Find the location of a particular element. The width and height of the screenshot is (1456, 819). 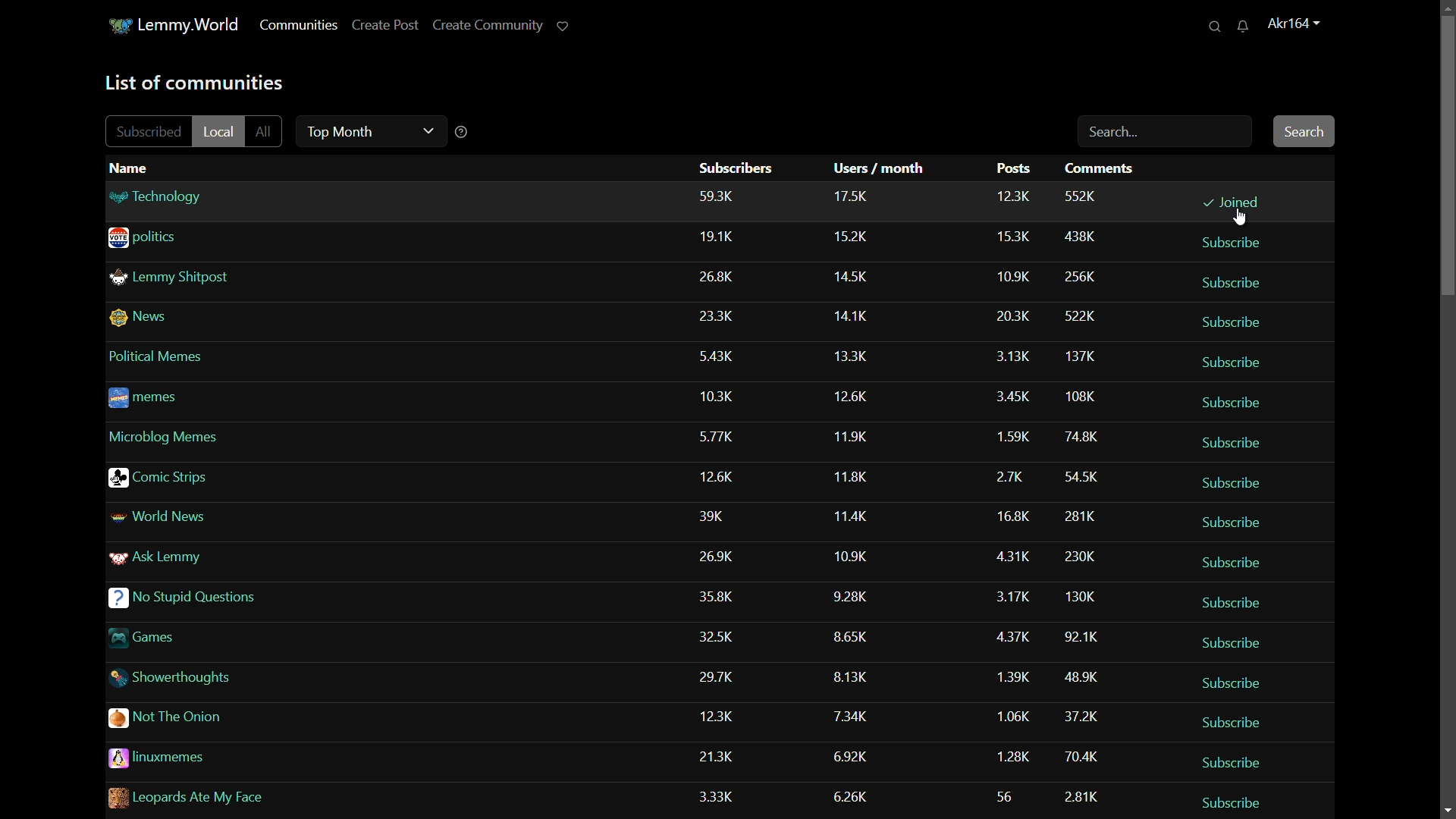

subscribers is located at coordinates (717, 716).